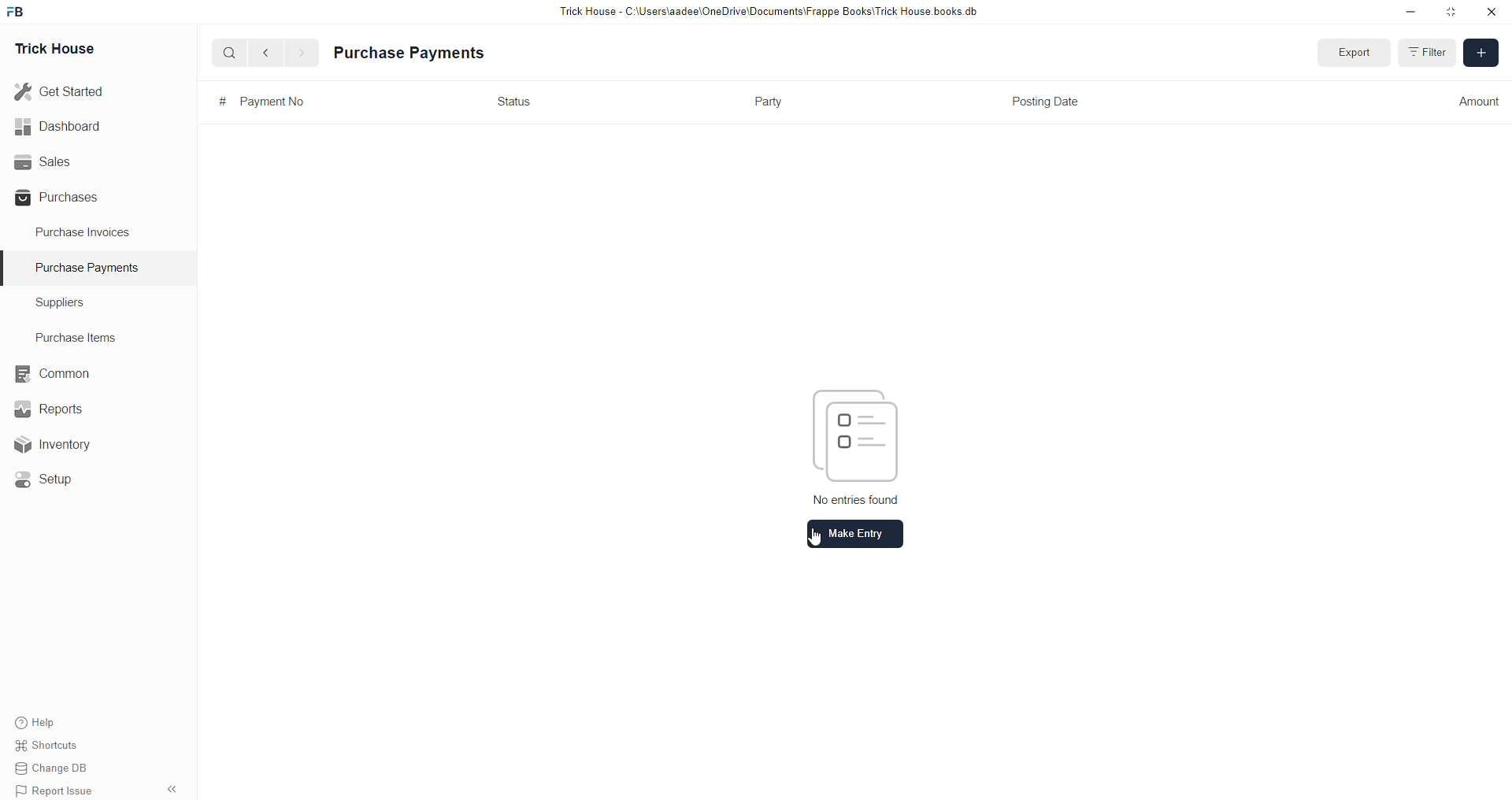 This screenshot has width=1512, height=800. I want to click on FB, so click(18, 10).